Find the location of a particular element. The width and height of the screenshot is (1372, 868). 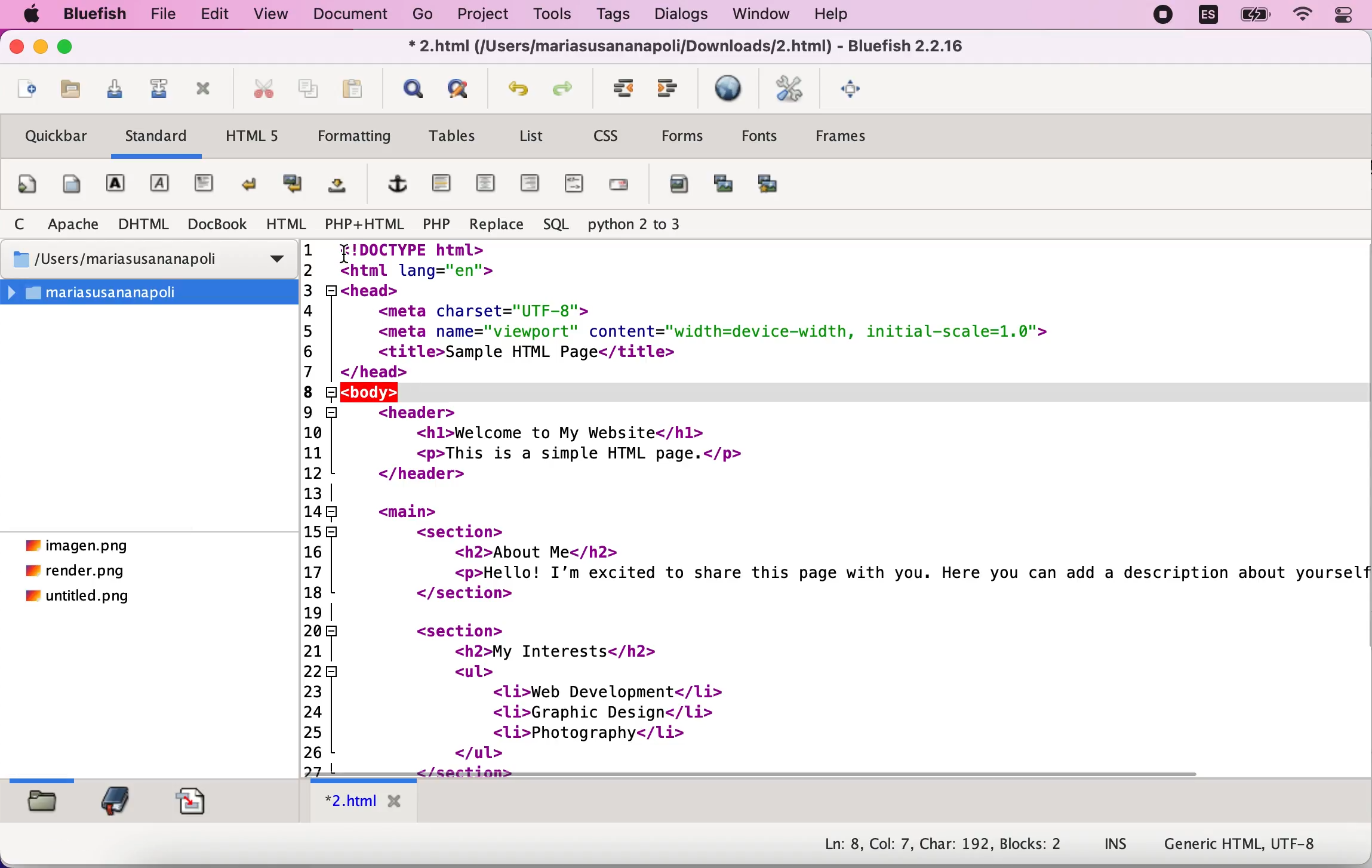

non breaking space is located at coordinates (336, 189).